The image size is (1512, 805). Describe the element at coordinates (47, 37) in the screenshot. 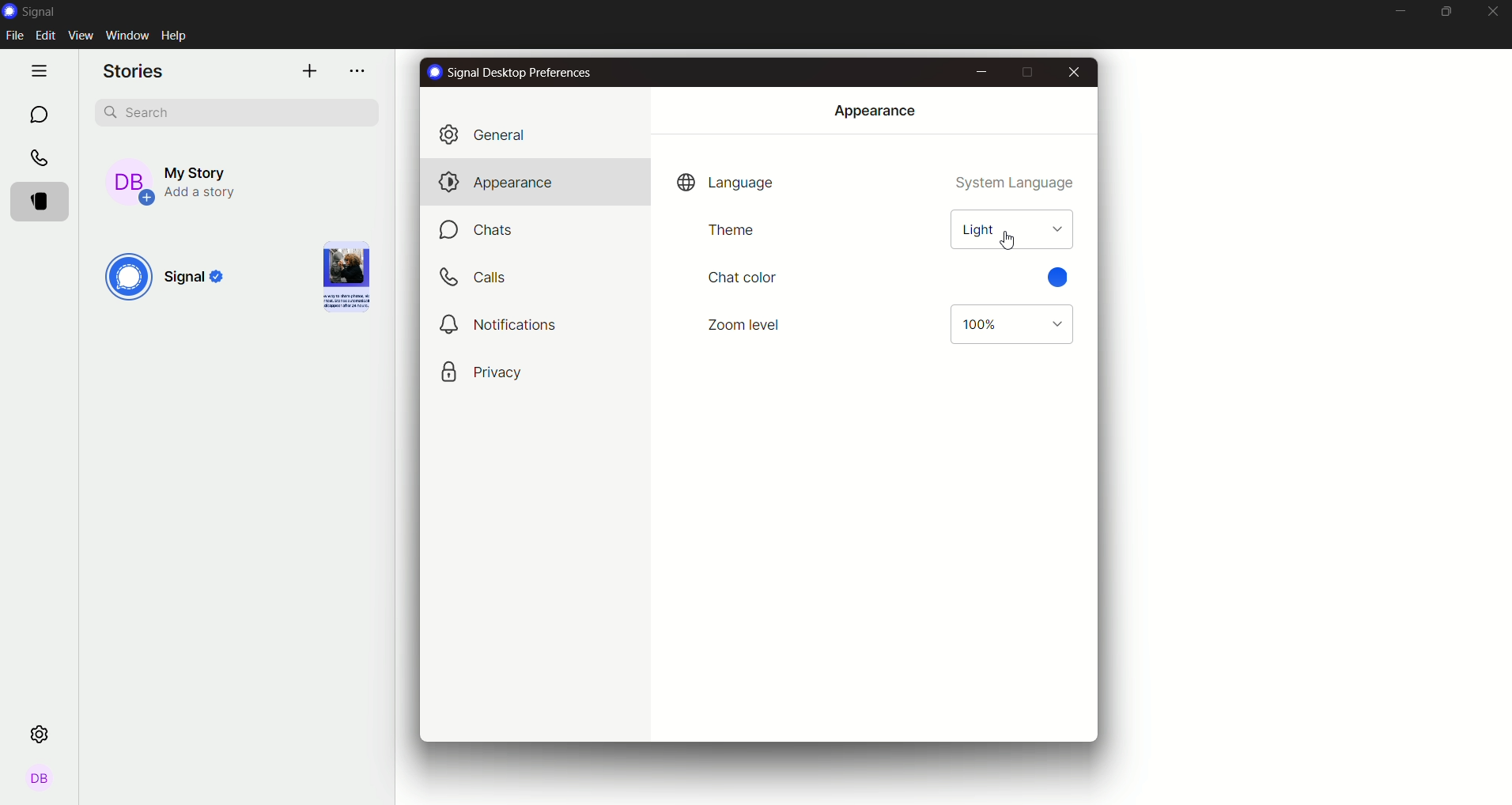

I see `edit` at that location.